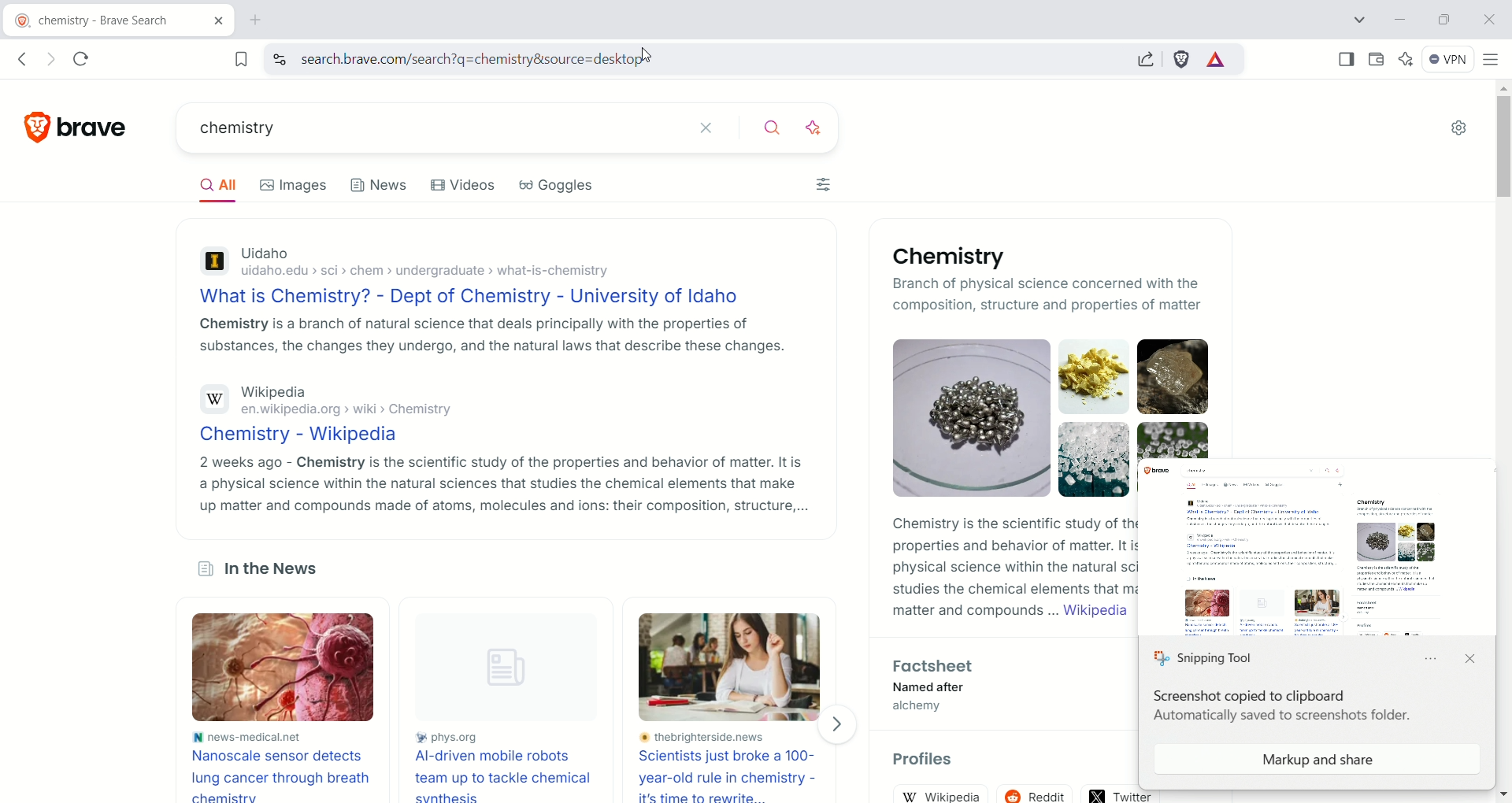 The width and height of the screenshot is (1512, 803). Describe the element at coordinates (380, 190) in the screenshot. I see `News` at that location.